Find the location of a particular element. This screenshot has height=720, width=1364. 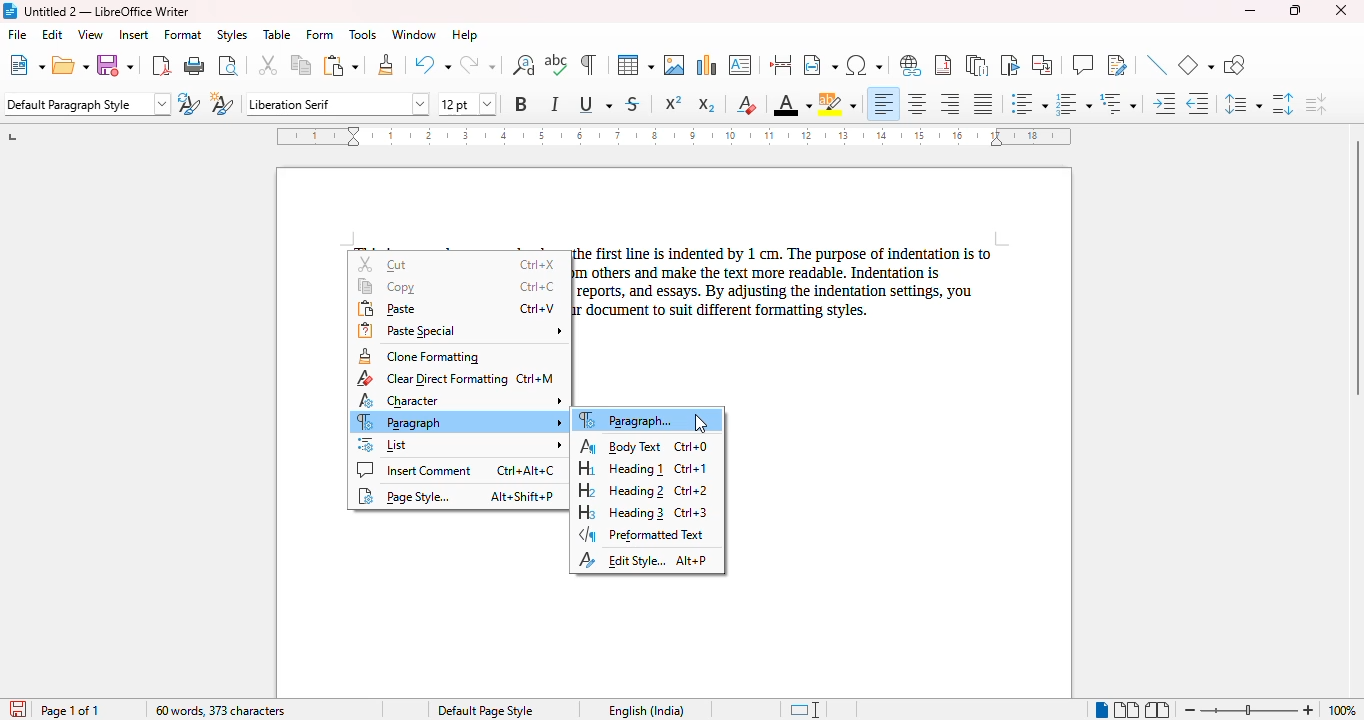

insert page break is located at coordinates (780, 65).